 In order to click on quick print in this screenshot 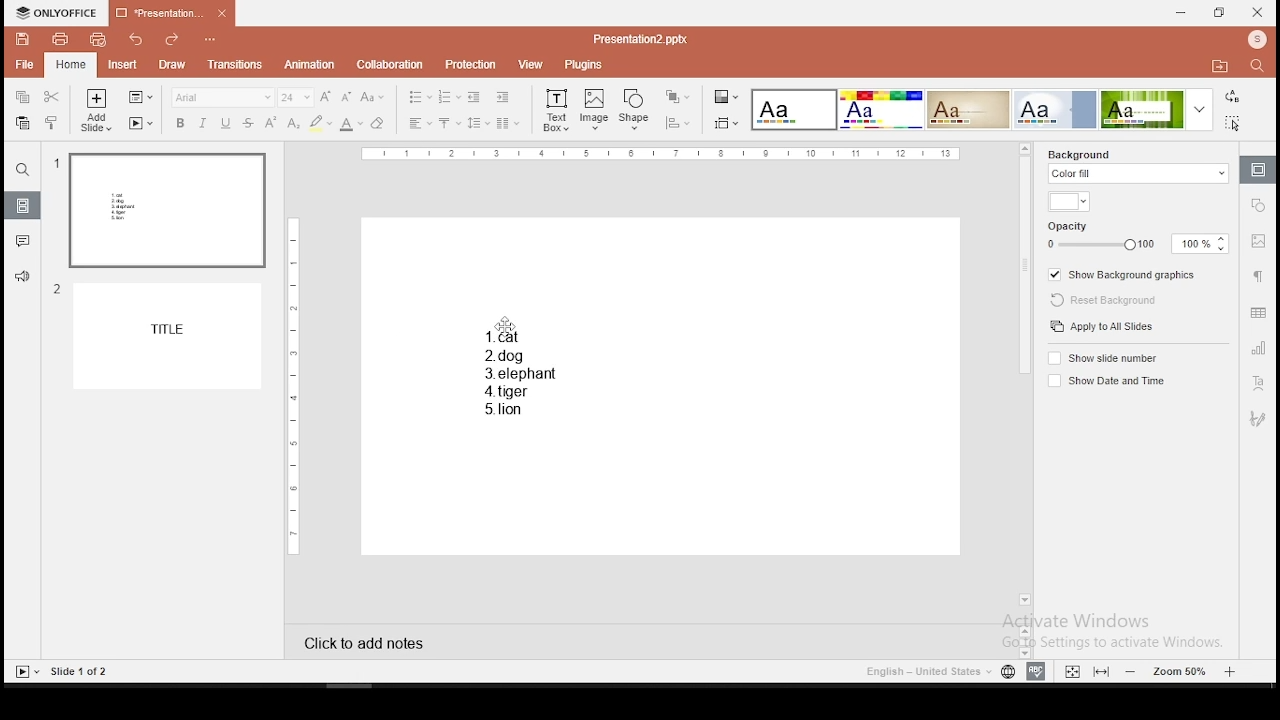, I will do `click(97, 39)`.